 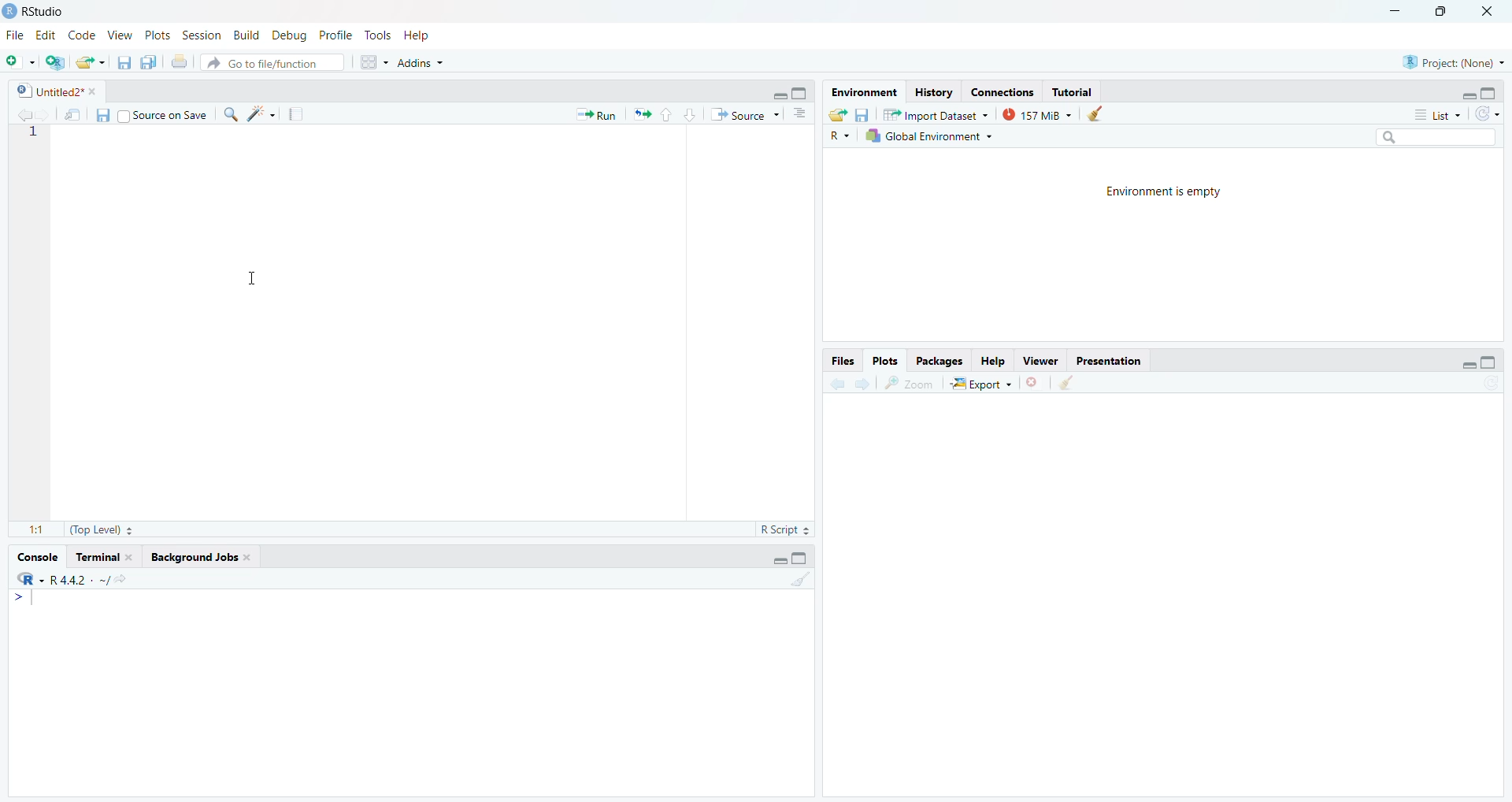 What do you see at coordinates (864, 91) in the screenshot?
I see `Environment` at bounding box center [864, 91].